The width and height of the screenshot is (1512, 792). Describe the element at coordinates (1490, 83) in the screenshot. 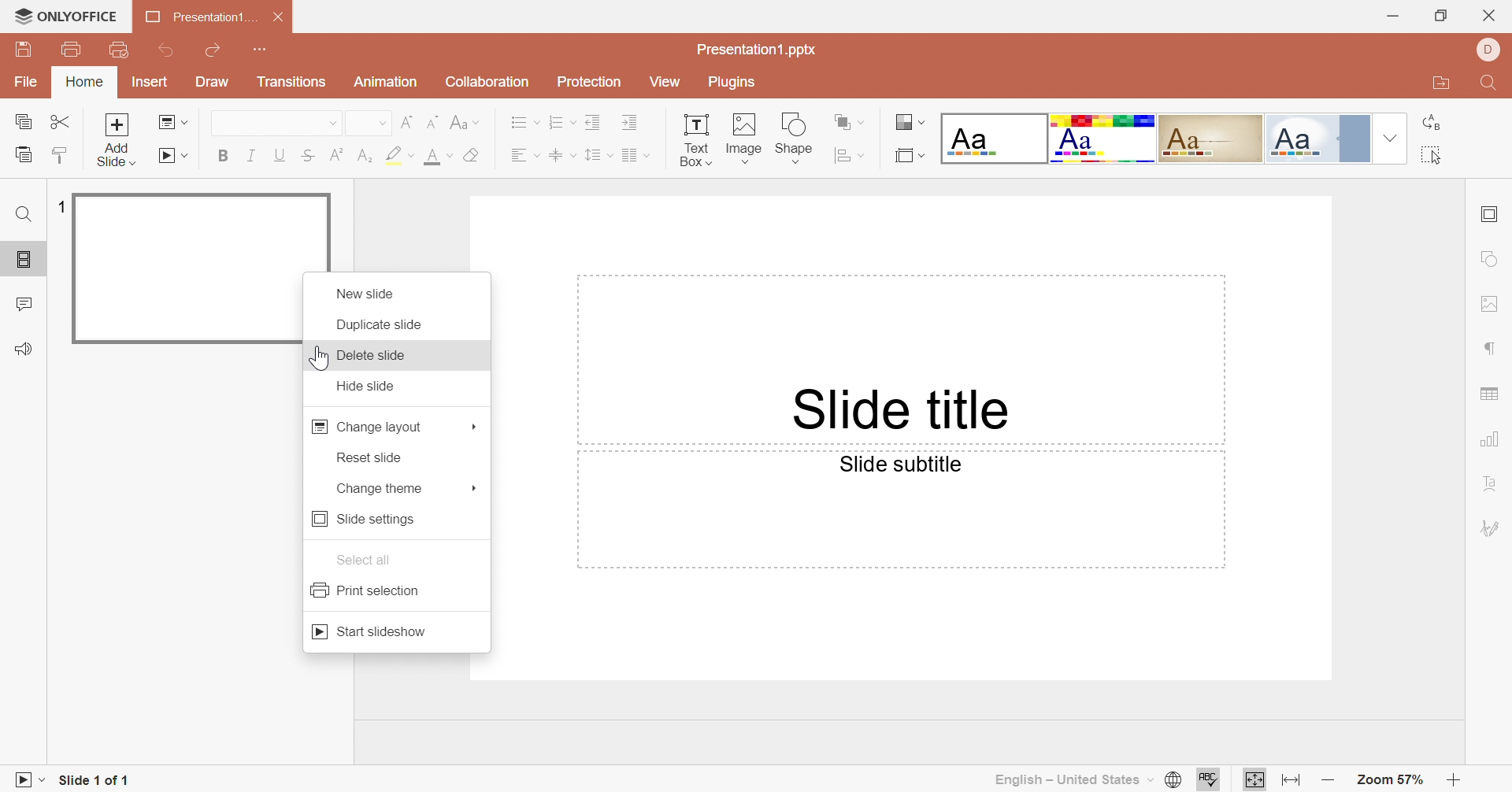

I see `Find` at that location.